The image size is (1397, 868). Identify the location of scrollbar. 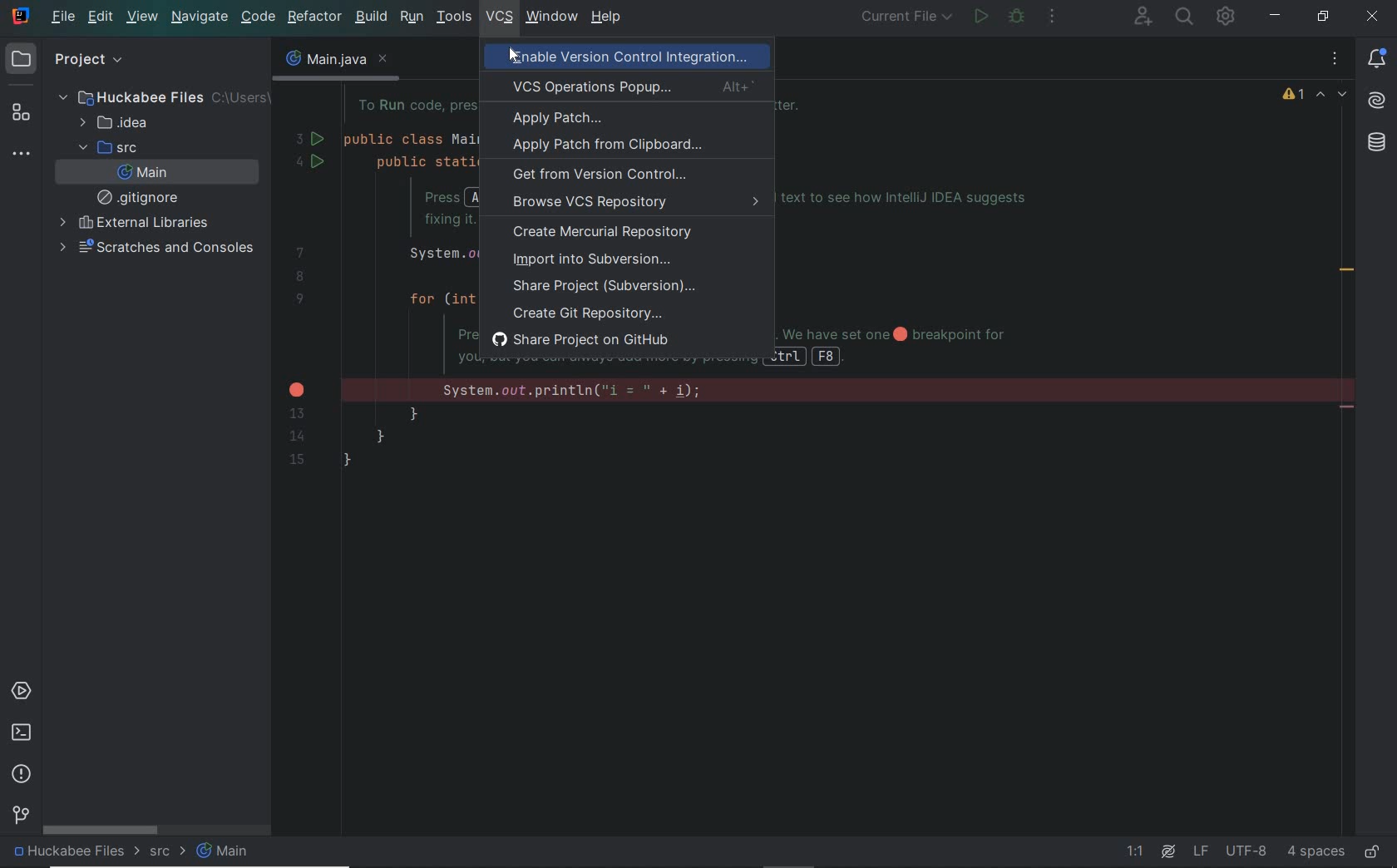
(101, 831).